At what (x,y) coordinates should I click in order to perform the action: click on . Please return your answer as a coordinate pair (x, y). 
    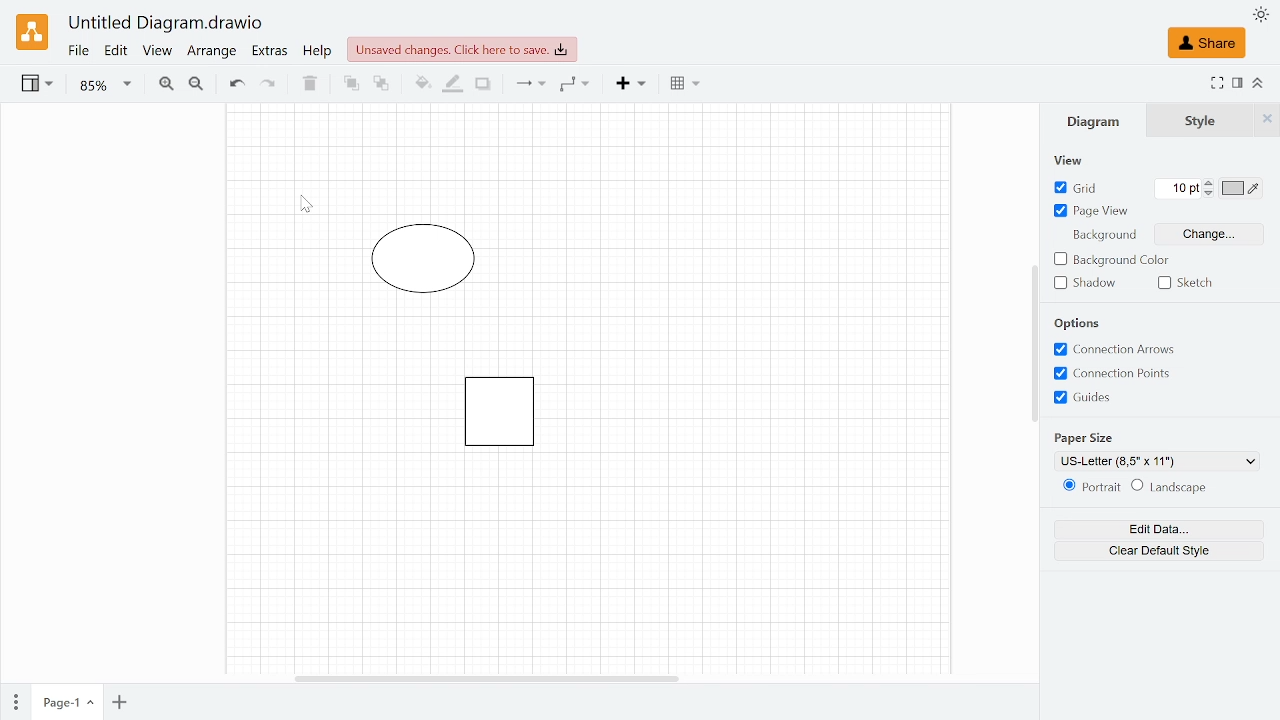
    Looking at the image, I should click on (1094, 123).